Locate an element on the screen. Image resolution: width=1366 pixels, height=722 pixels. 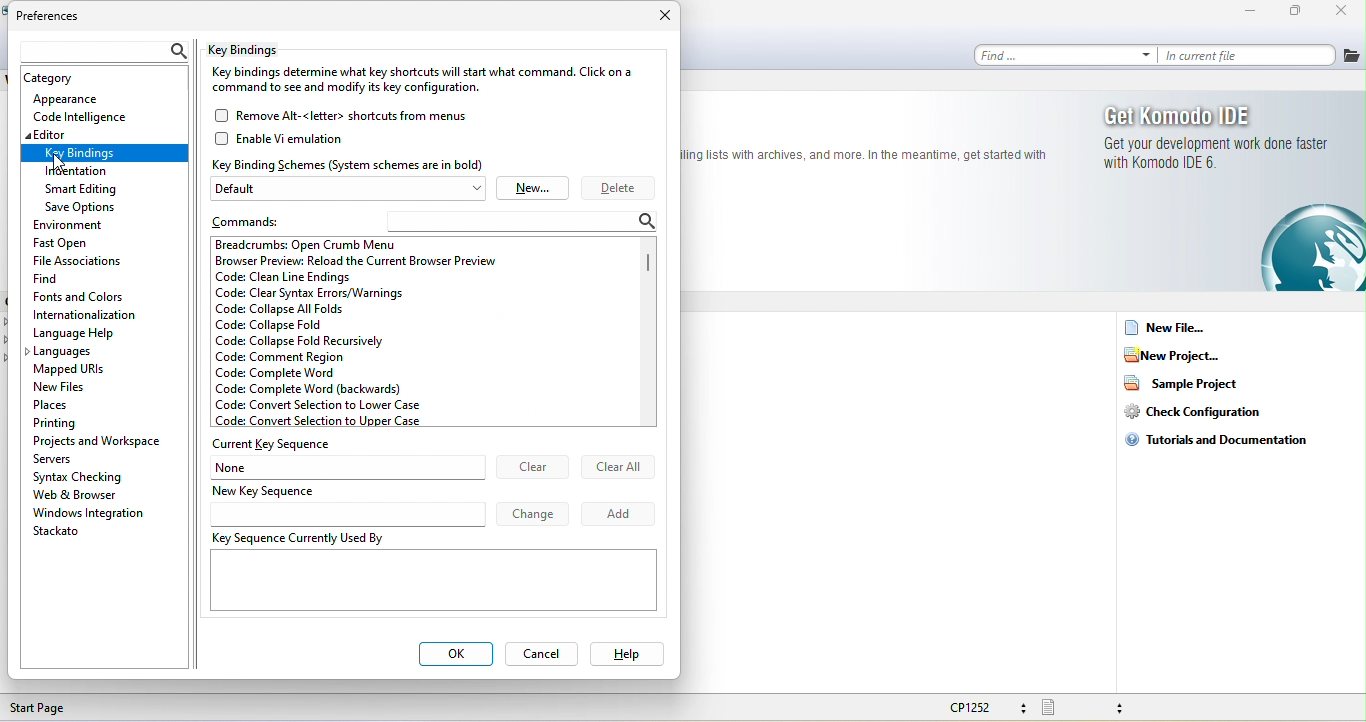
code complete word is located at coordinates (304, 373).